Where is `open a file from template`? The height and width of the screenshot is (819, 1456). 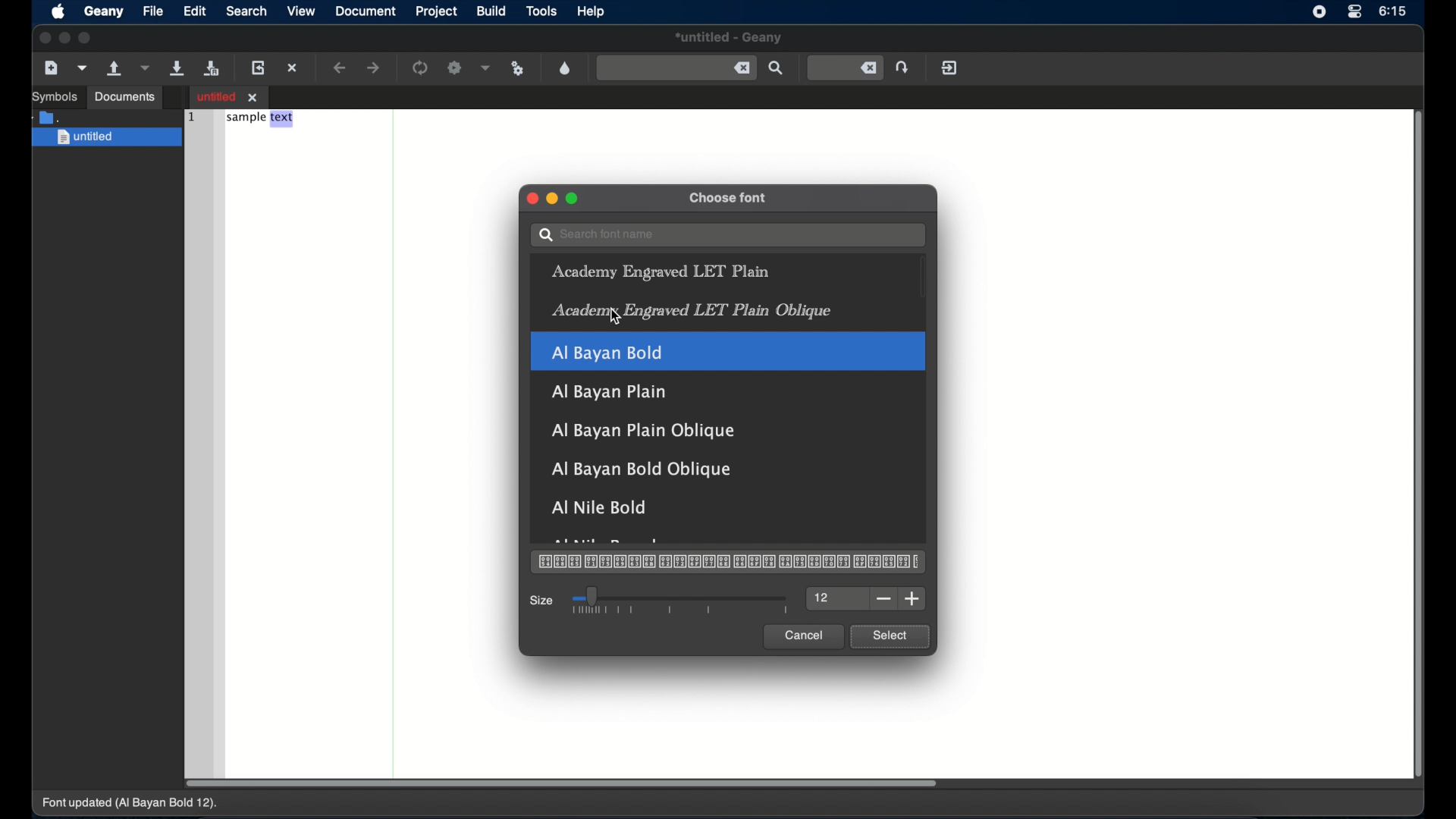 open a file from template is located at coordinates (84, 67).